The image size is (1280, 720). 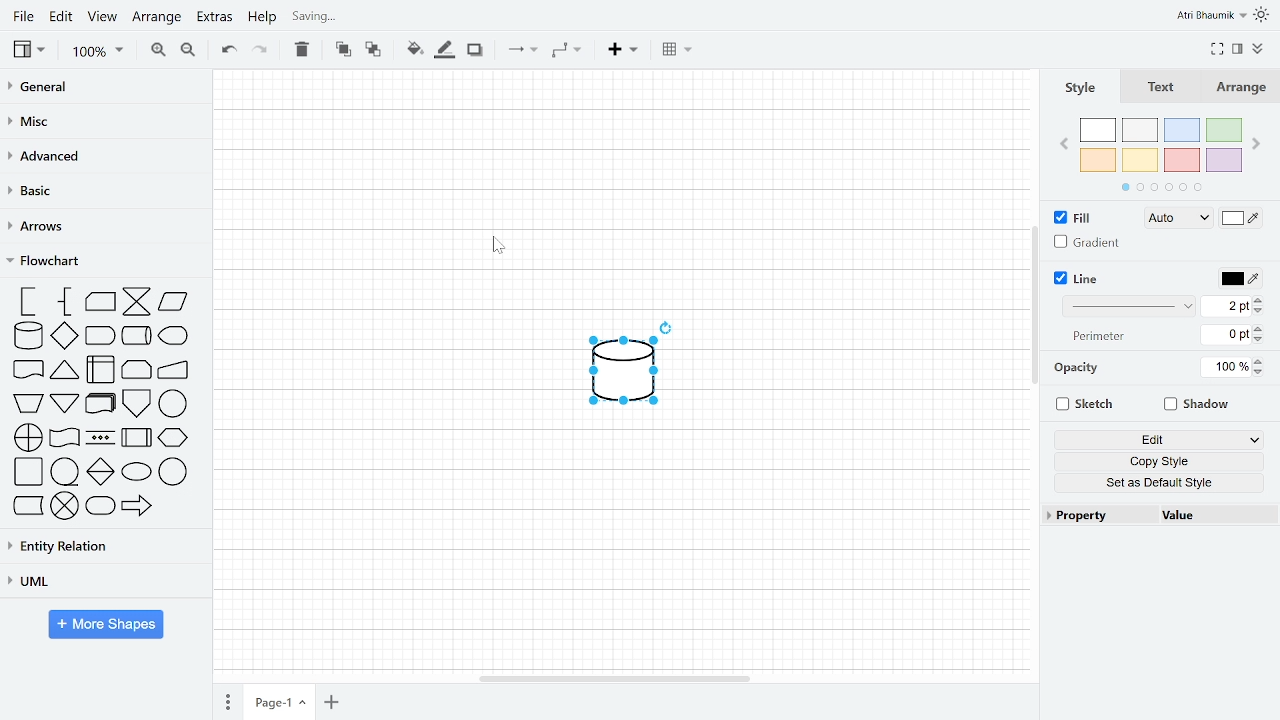 I want to click on summing junction, so click(x=65, y=508).